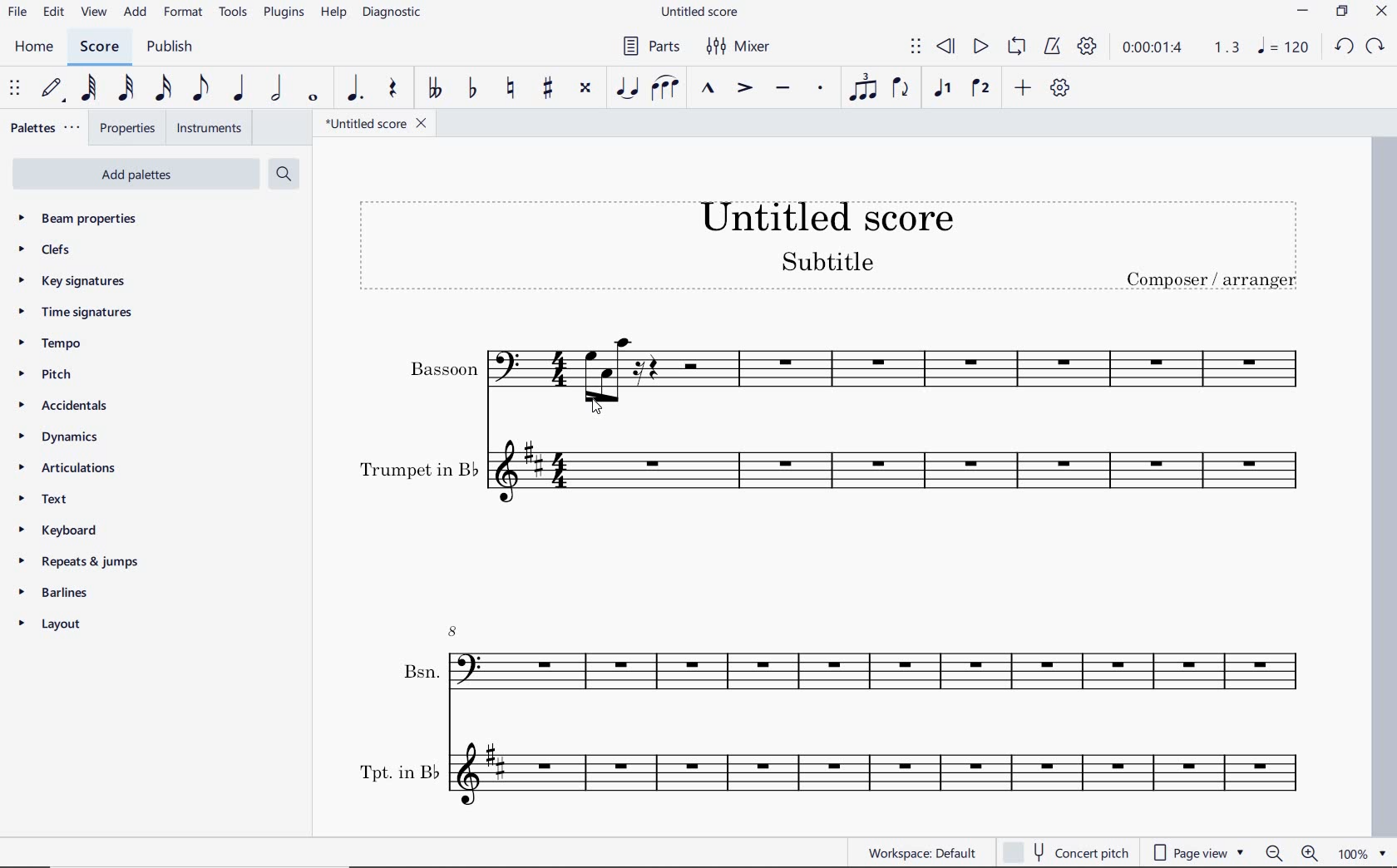 Image resolution: width=1397 pixels, height=868 pixels. I want to click on properties, so click(124, 128).